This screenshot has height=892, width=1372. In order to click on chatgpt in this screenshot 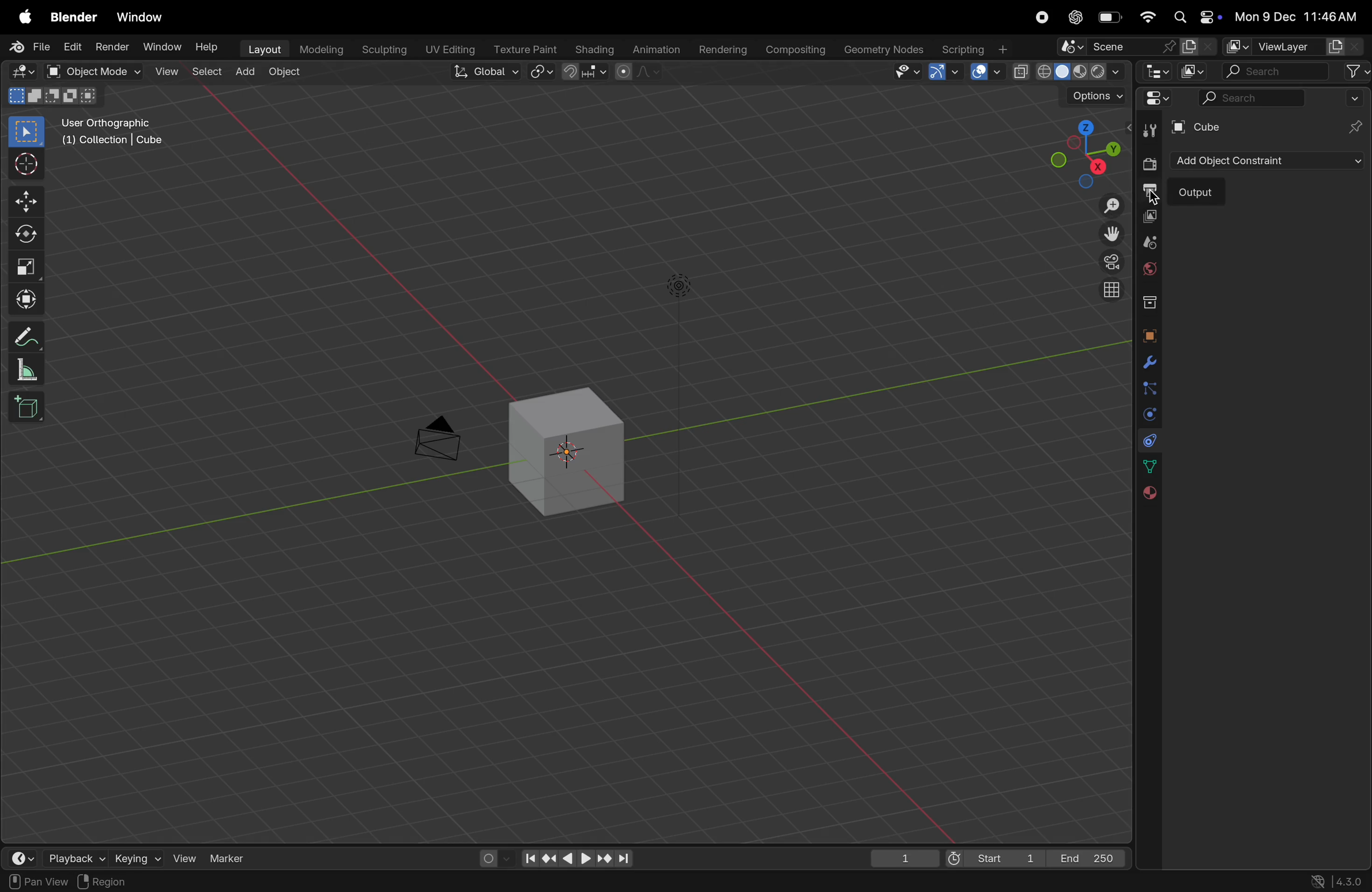, I will do `click(1074, 18)`.